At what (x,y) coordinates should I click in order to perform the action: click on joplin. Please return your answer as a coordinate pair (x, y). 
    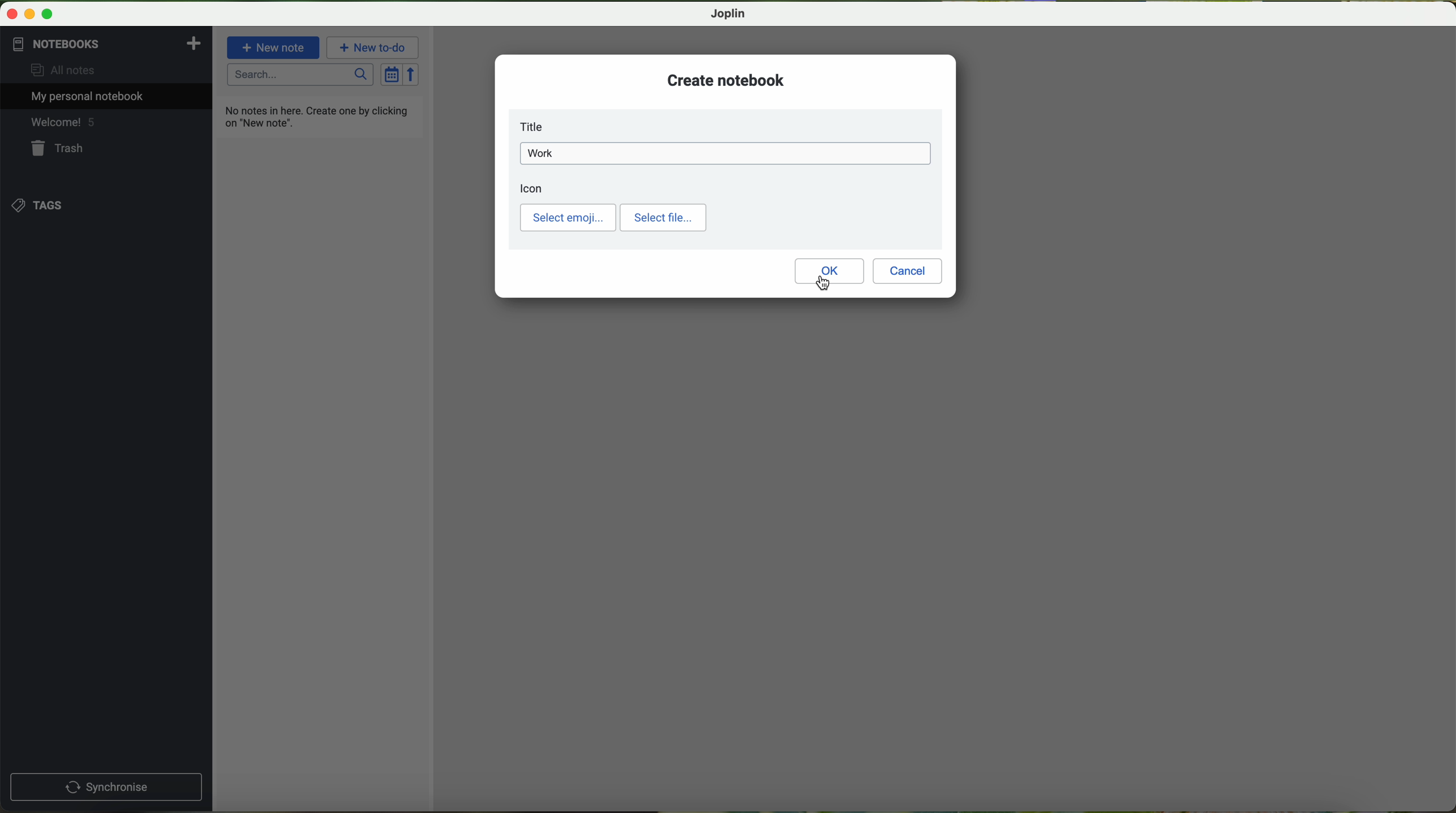
    Looking at the image, I should click on (729, 14).